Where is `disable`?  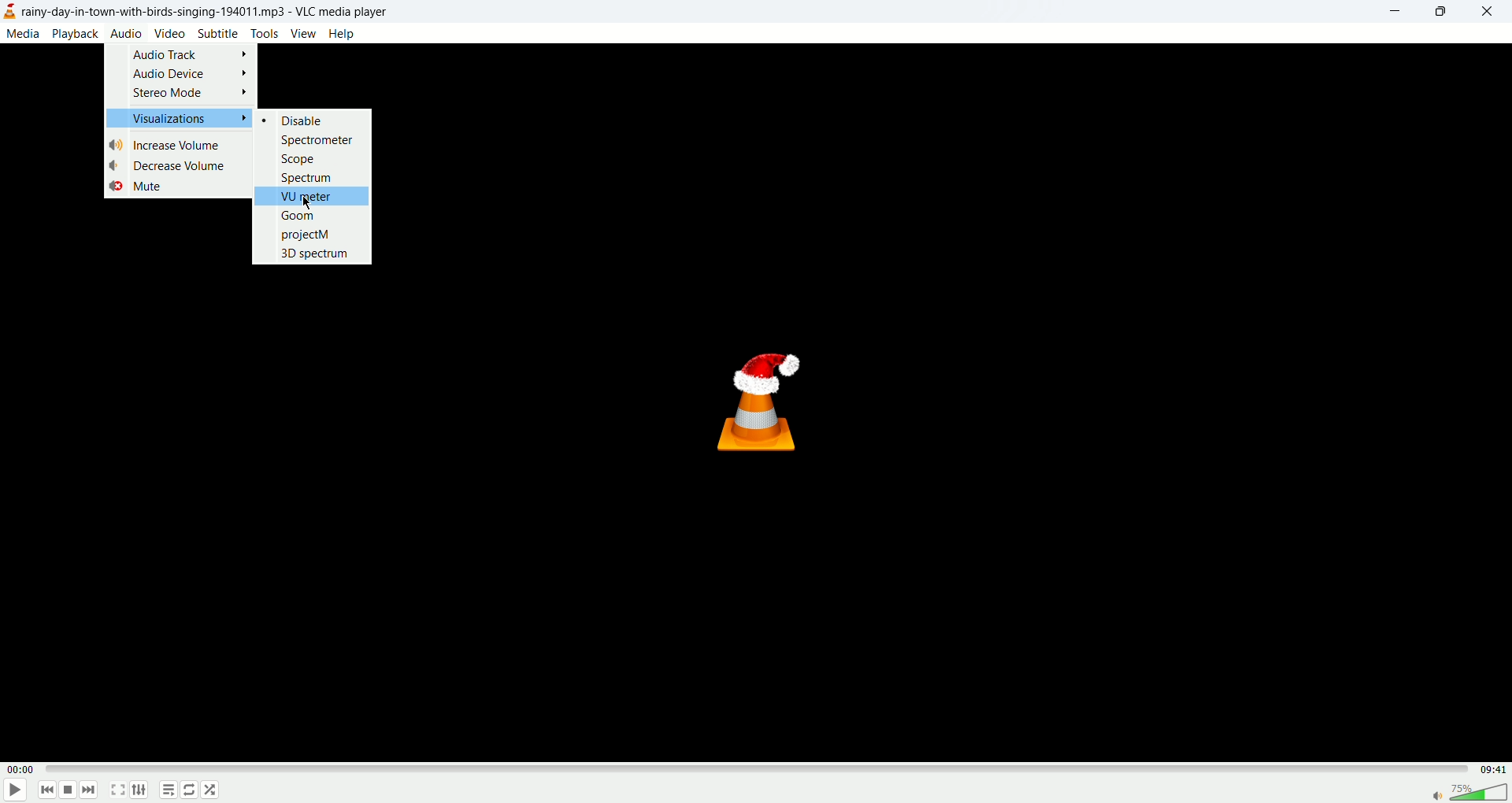
disable is located at coordinates (306, 120).